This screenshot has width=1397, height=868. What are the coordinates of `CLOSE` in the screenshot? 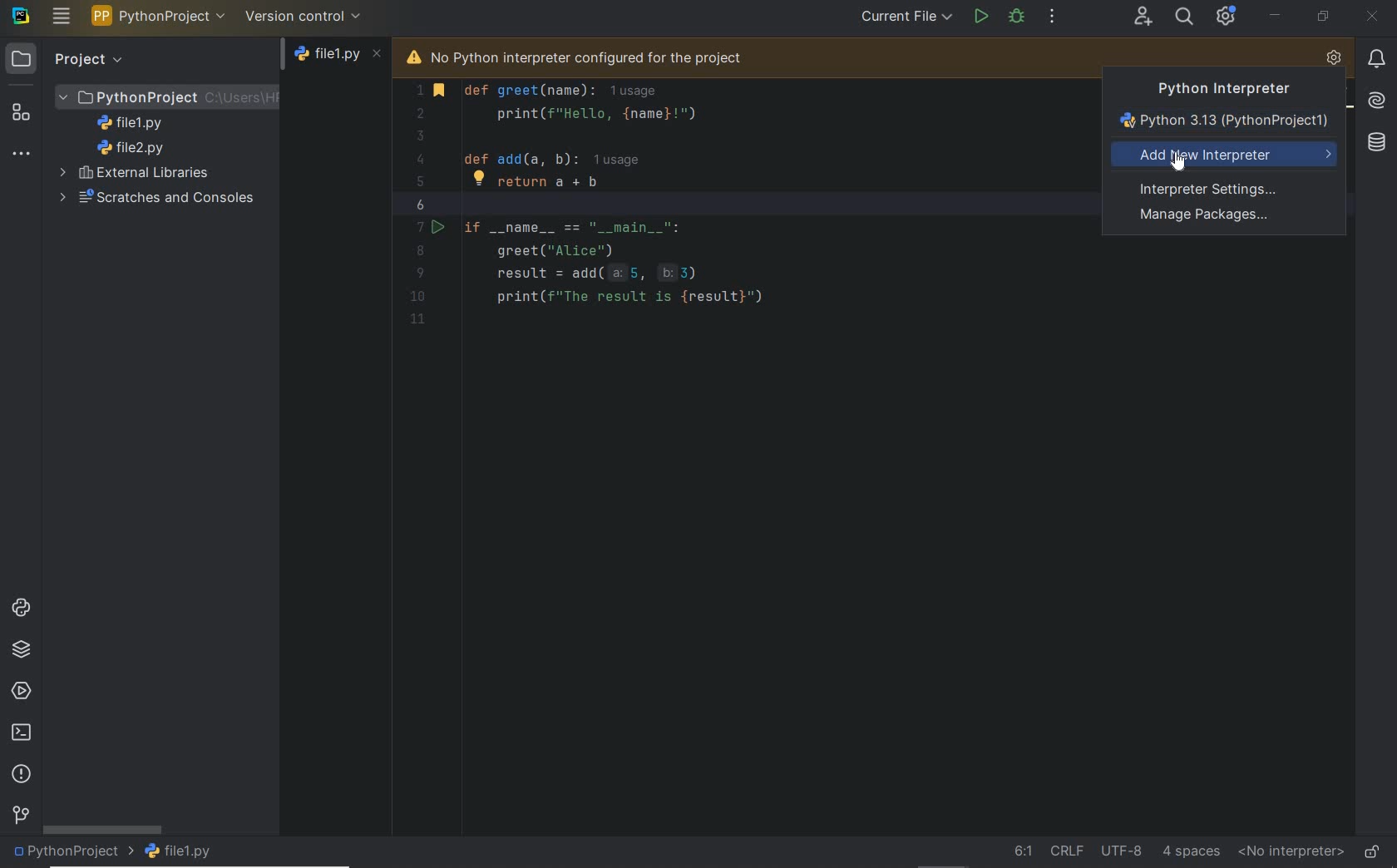 It's located at (1373, 18).